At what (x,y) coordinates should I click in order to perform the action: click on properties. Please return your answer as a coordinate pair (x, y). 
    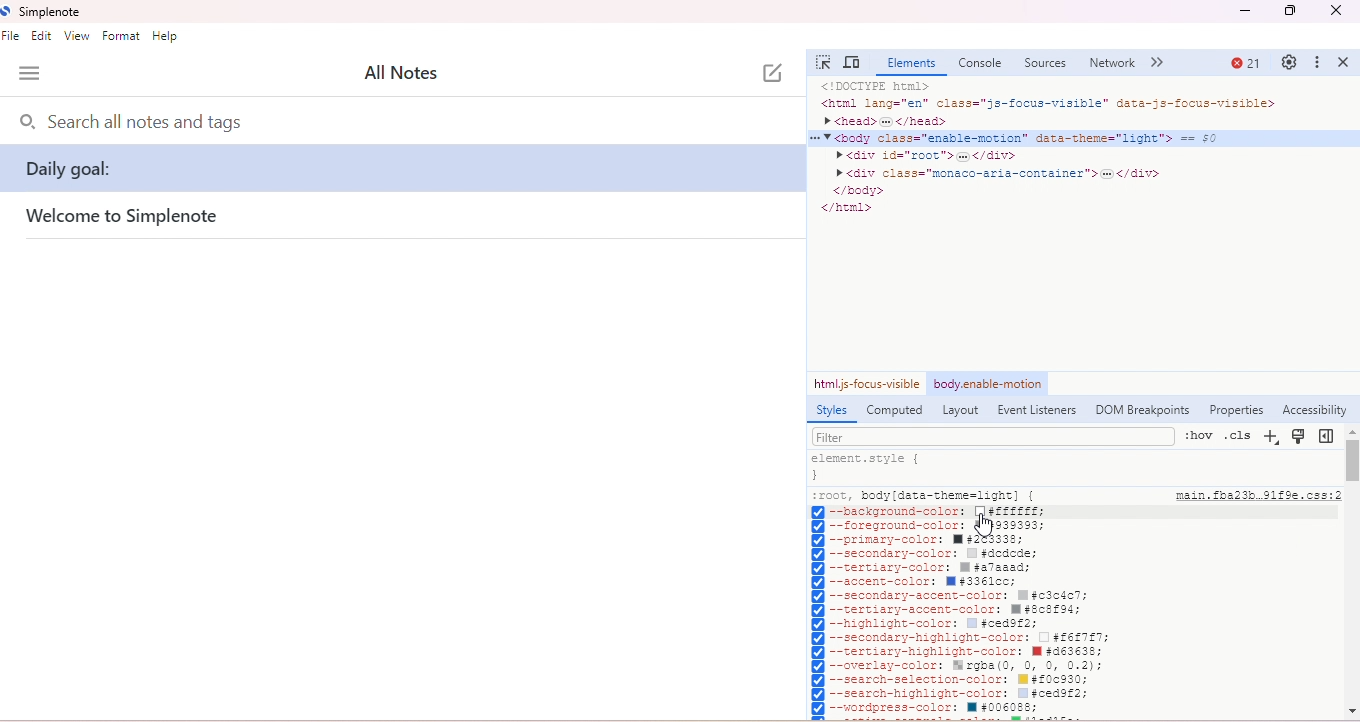
    Looking at the image, I should click on (1236, 410).